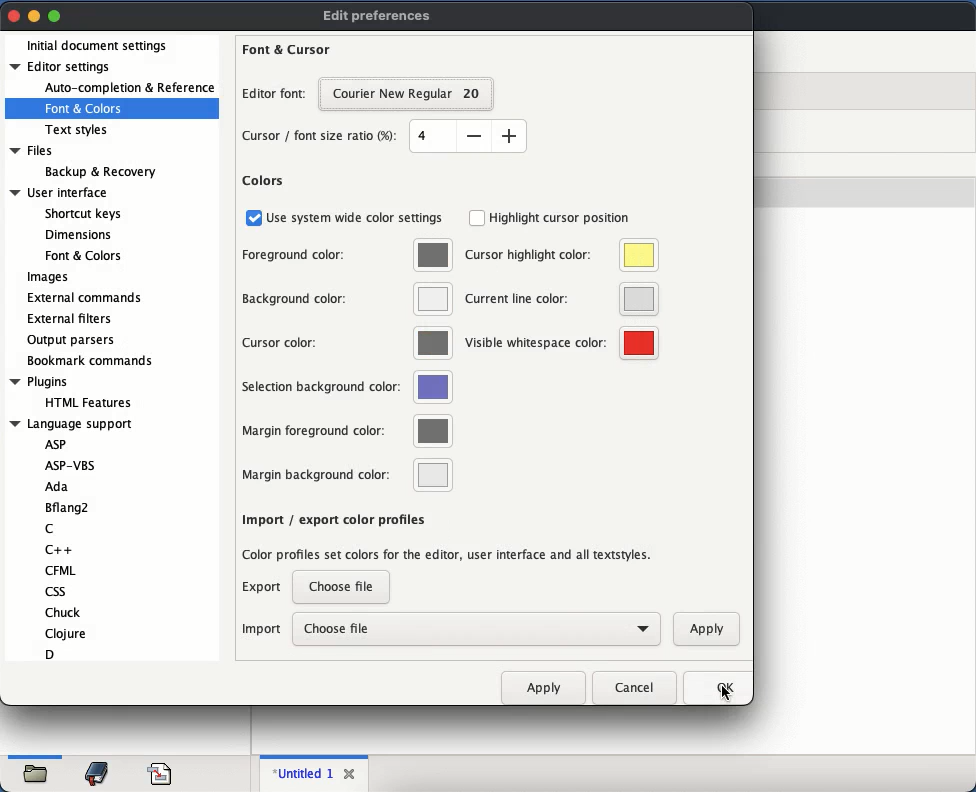 The width and height of the screenshot is (976, 792). I want to click on cursor highlight color, so click(538, 253).